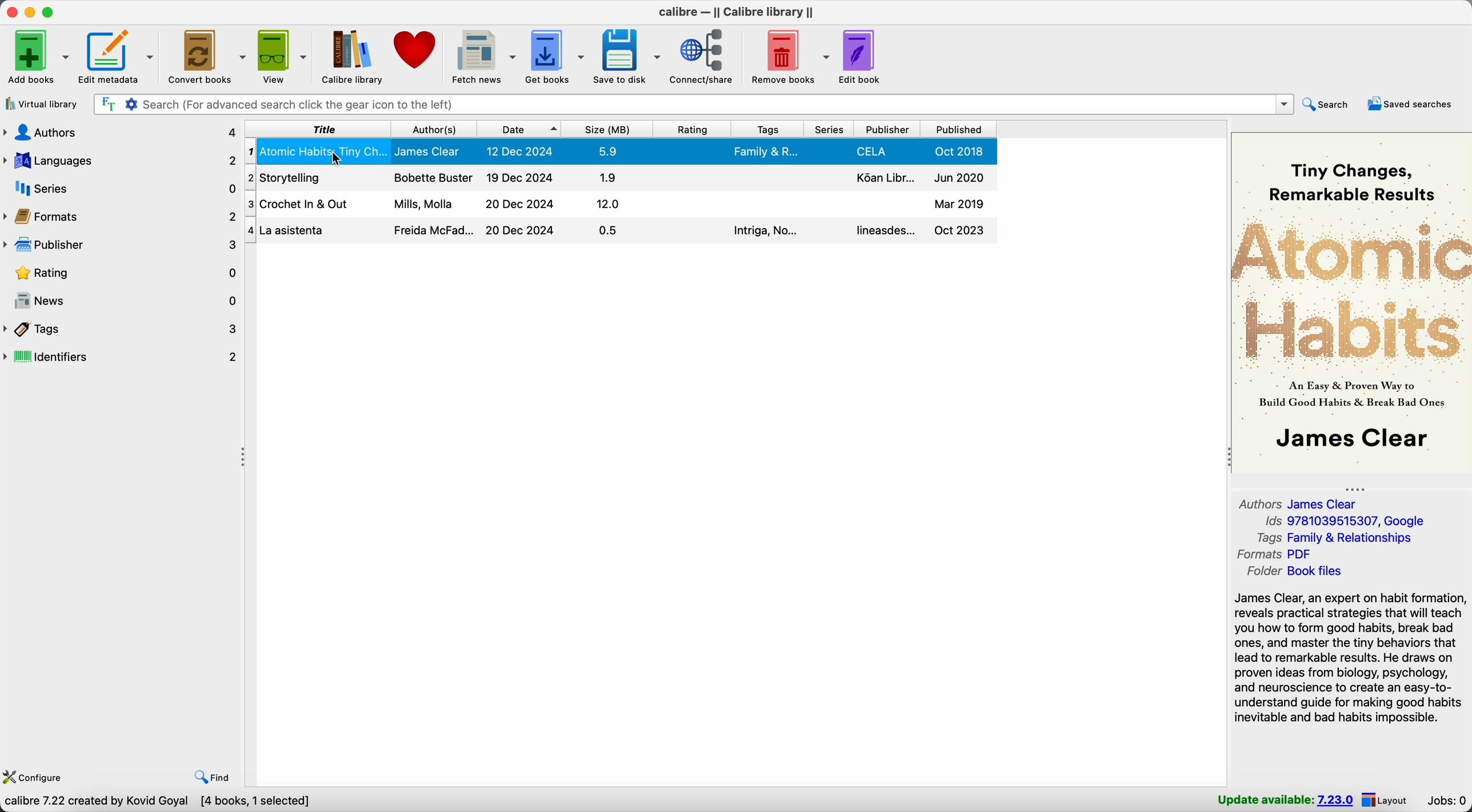 This screenshot has height=812, width=1472. Describe the element at coordinates (121, 58) in the screenshot. I see `edit metadata` at that location.